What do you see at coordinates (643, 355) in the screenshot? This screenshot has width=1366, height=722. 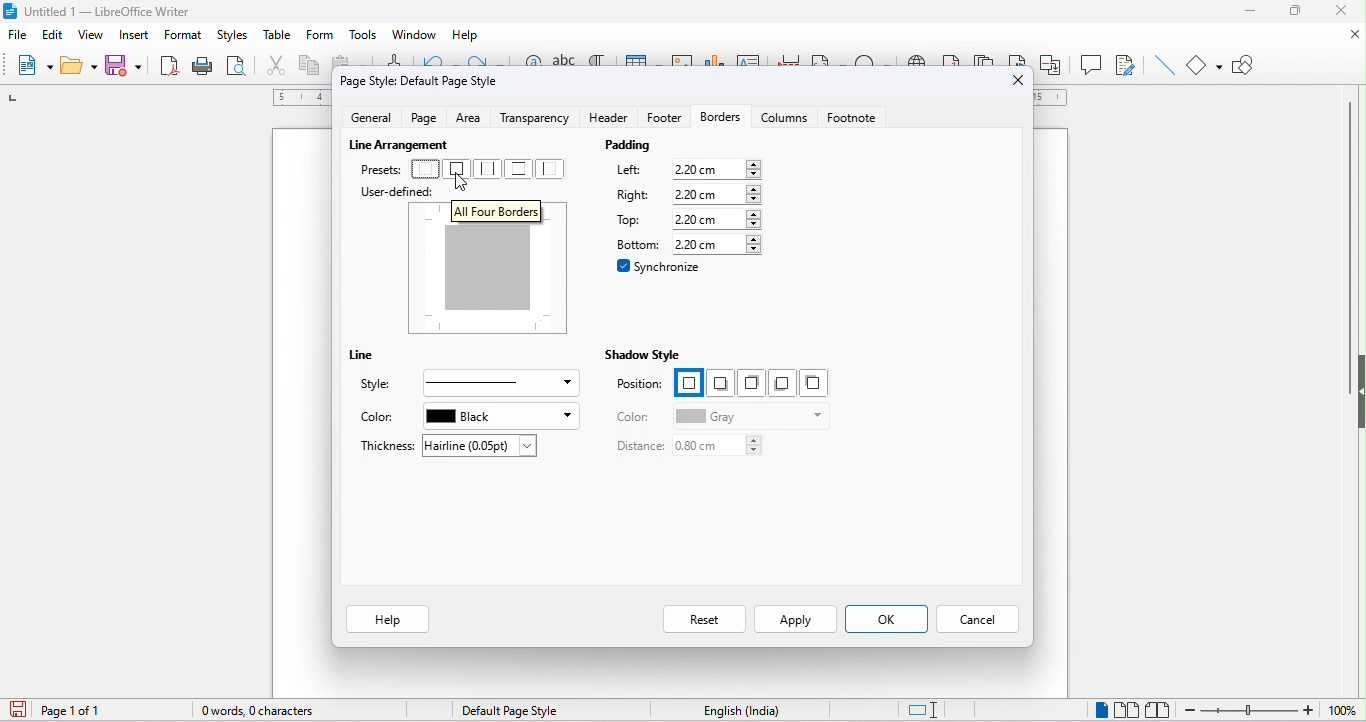 I see `shadow style` at bounding box center [643, 355].